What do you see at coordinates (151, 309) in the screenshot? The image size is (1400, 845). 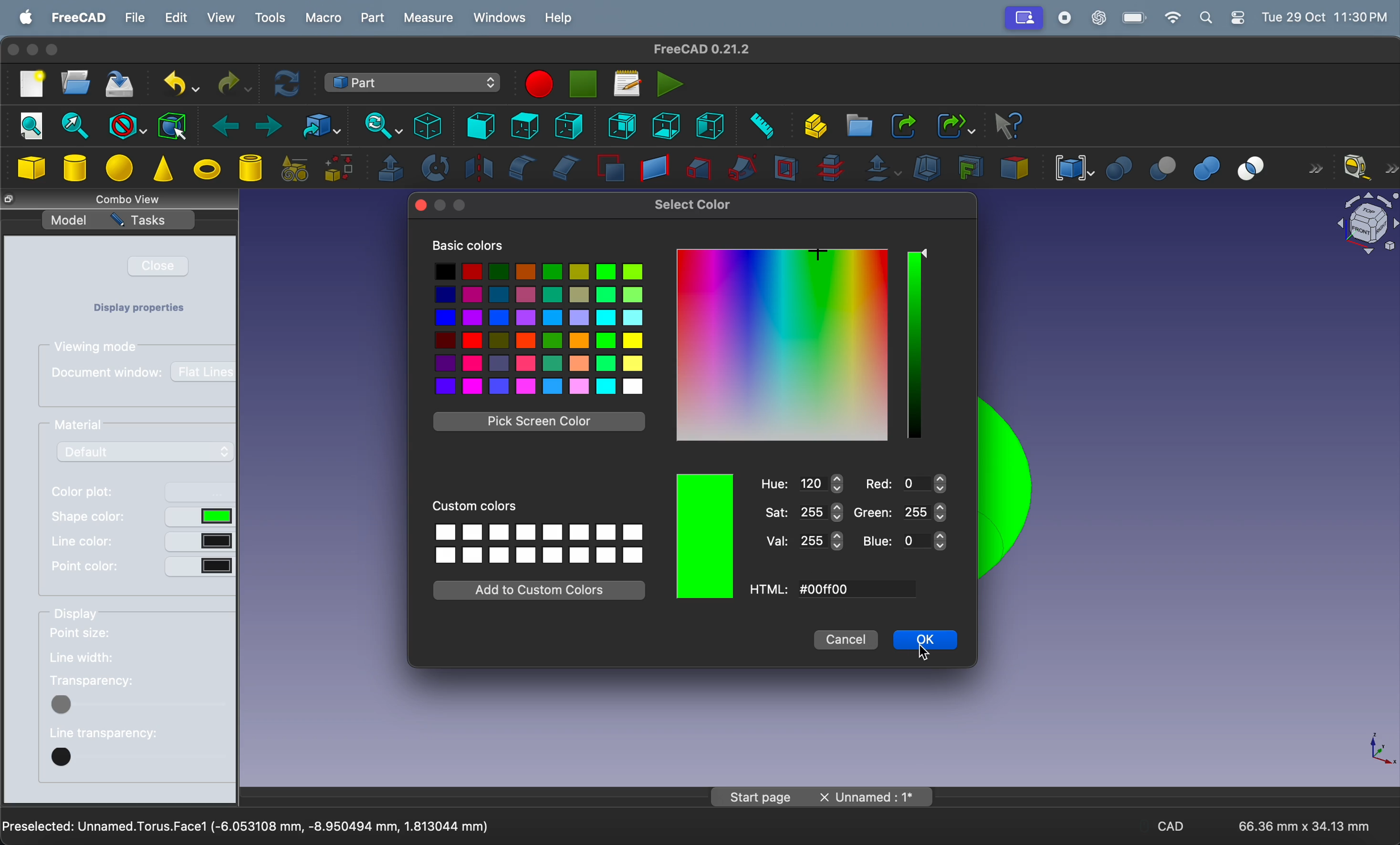 I see `Display properties` at bounding box center [151, 309].